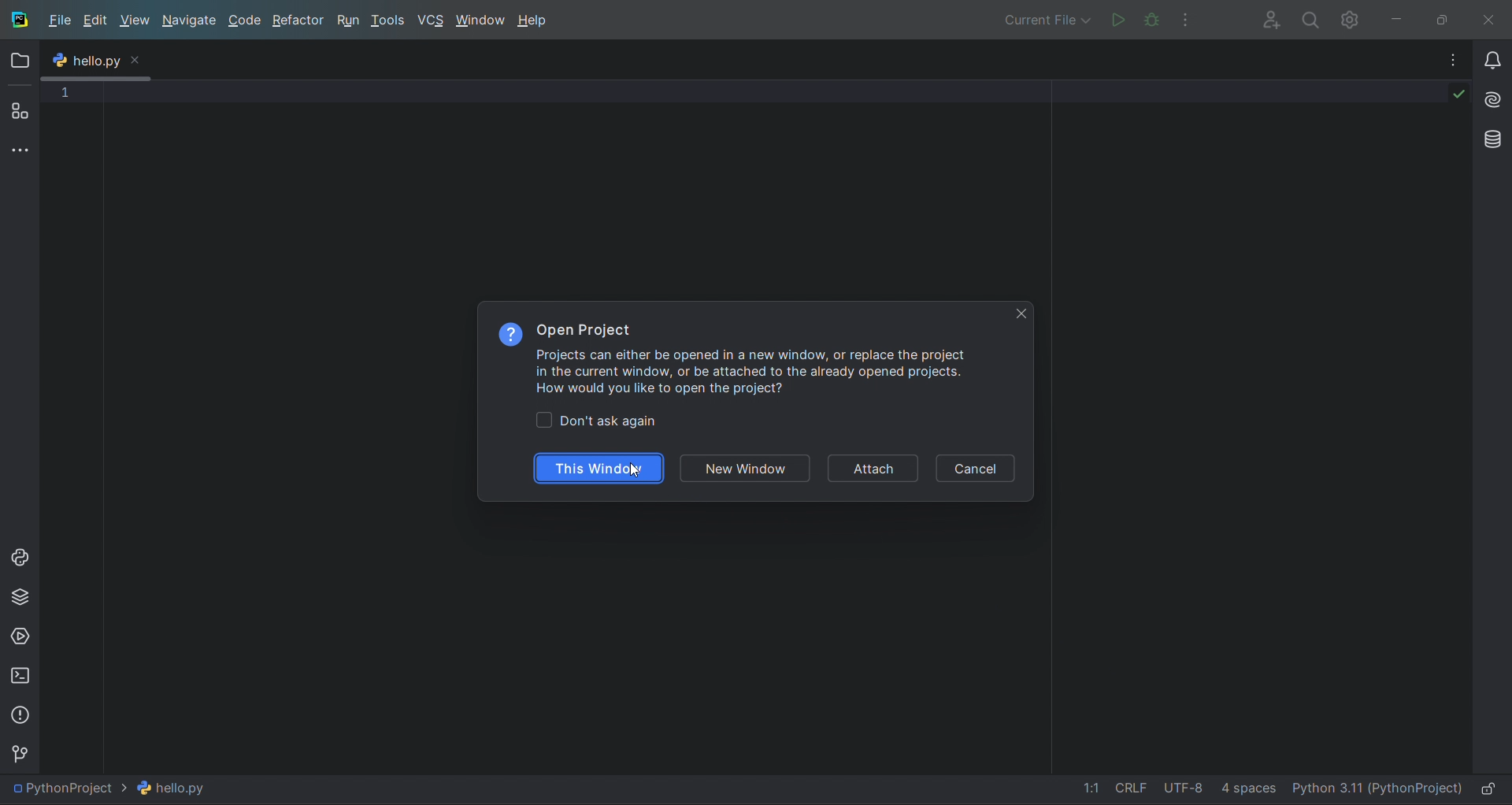 Image resolution: width=1512 pixels, height=805 pixels. I want to click on tools, so click(391, 22).